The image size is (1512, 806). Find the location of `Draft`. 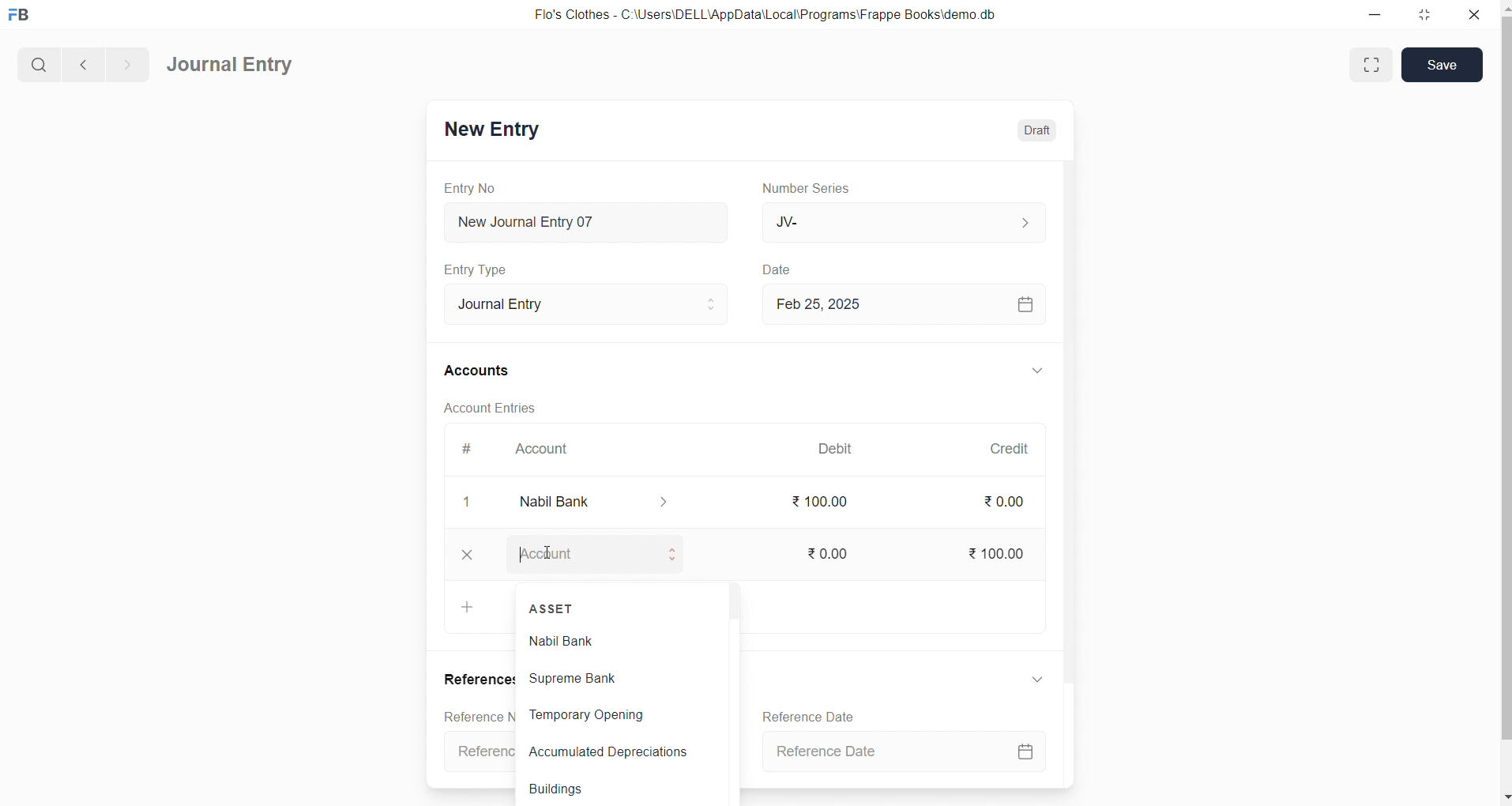

Draft is located at coordinates (1036, 128).